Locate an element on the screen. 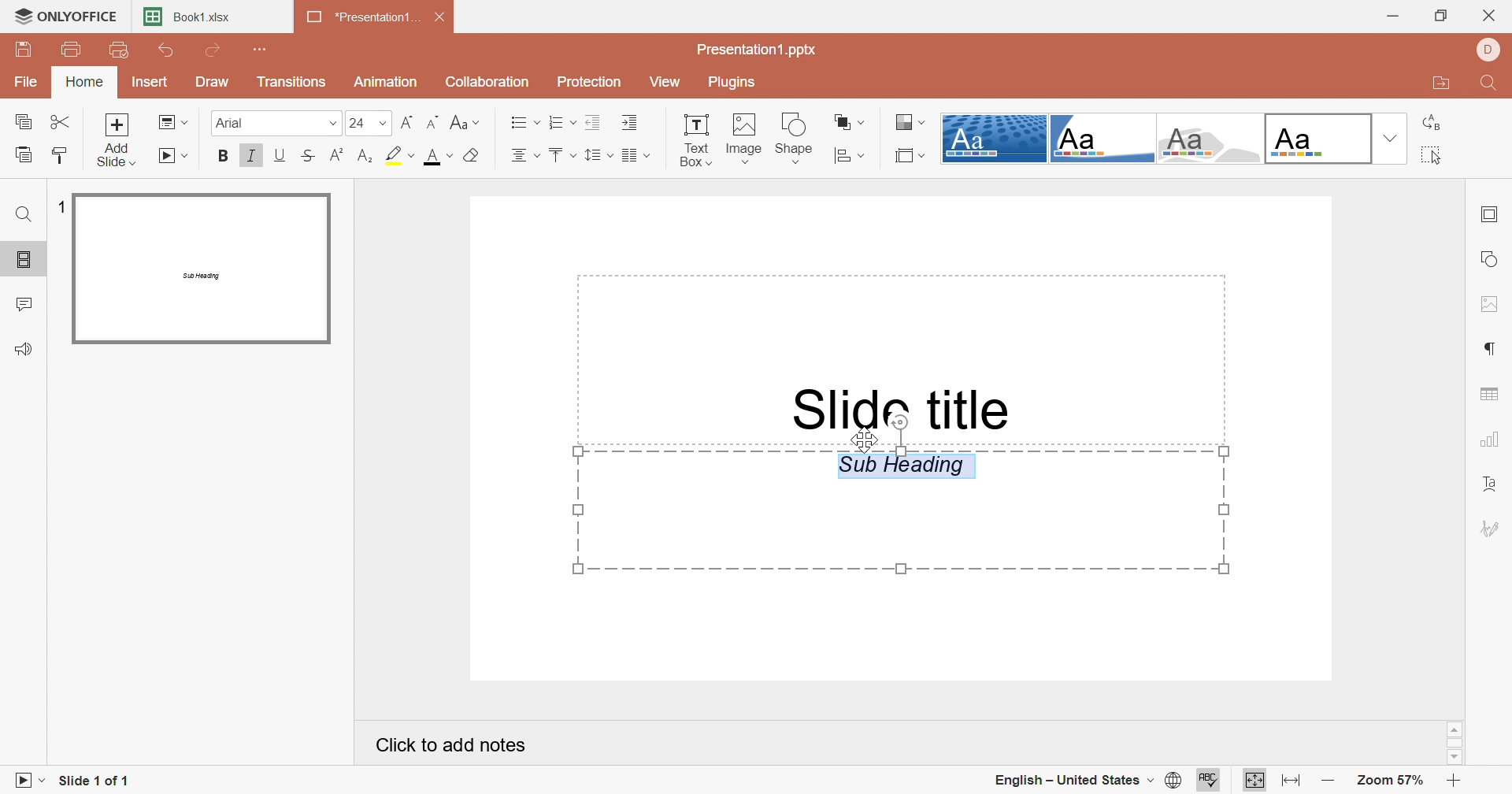 Image resolution: width=1512 pixels, height=794 pixels. Set document language is located at coordinates (1174, 779).